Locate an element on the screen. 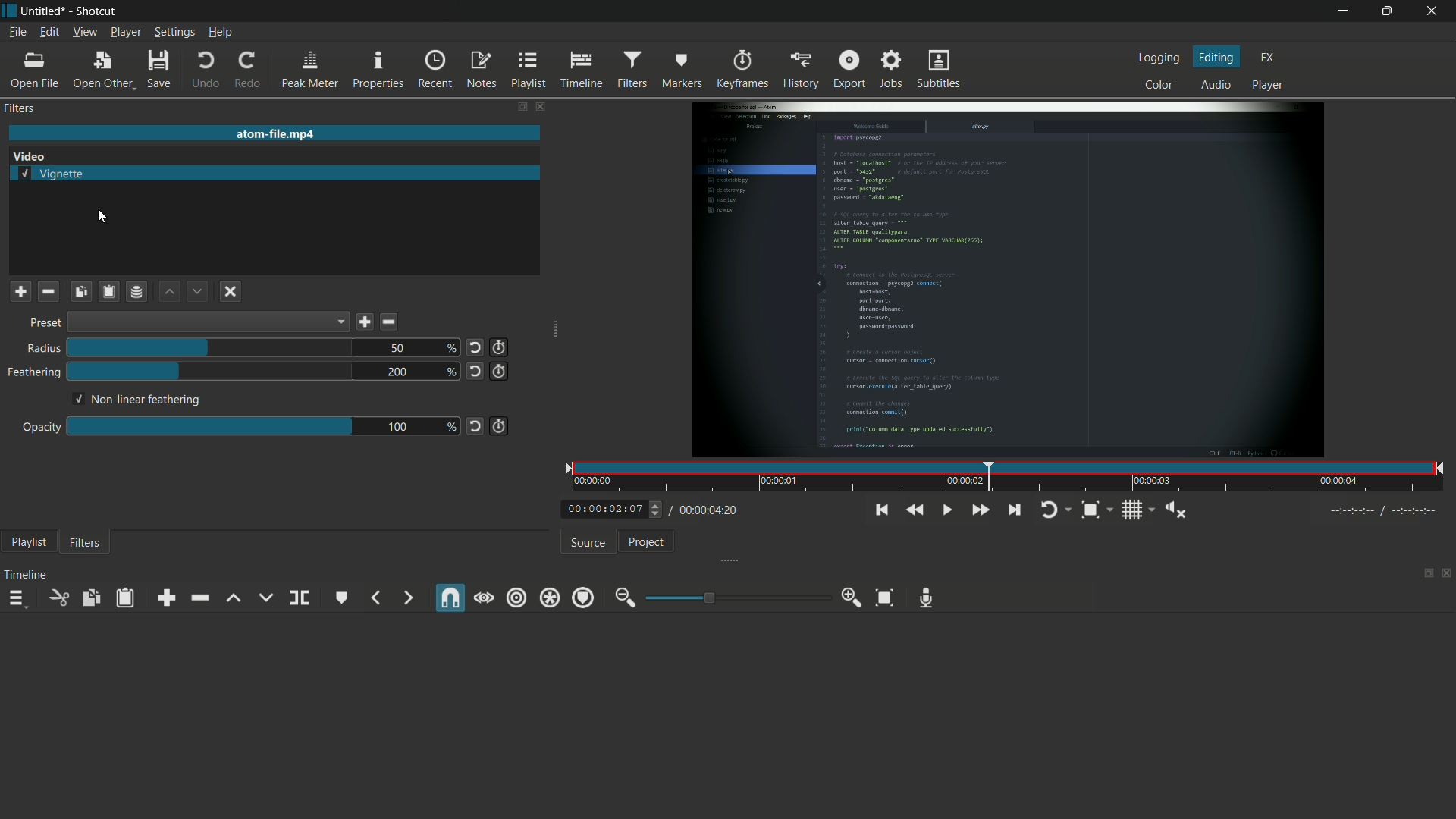 Image resolution: width=1456 pixels, height=819 pixels. file name is located at coordinates (277, 133).